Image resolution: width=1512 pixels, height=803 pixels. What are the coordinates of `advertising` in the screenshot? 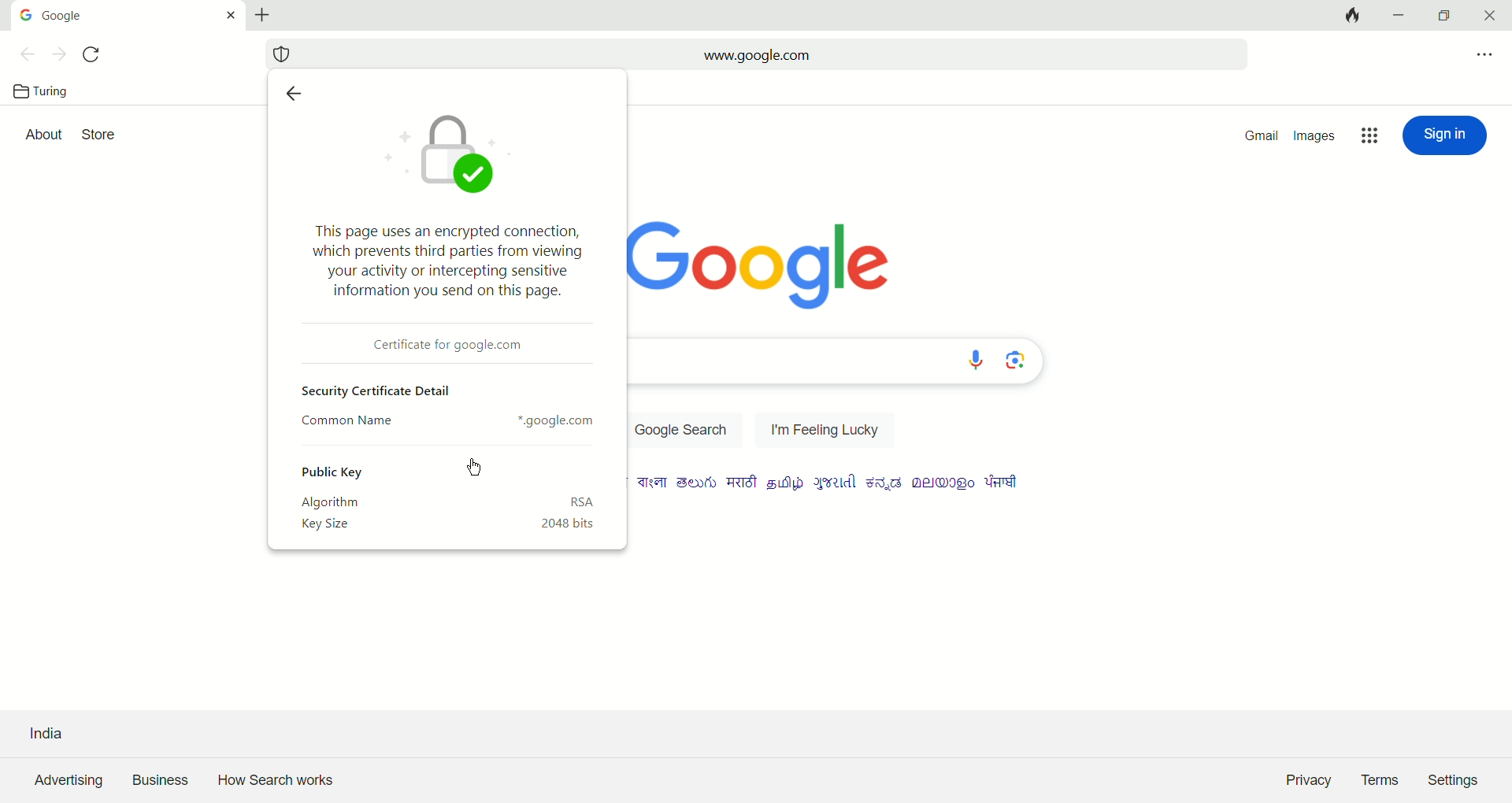 It's located at (62, 779).